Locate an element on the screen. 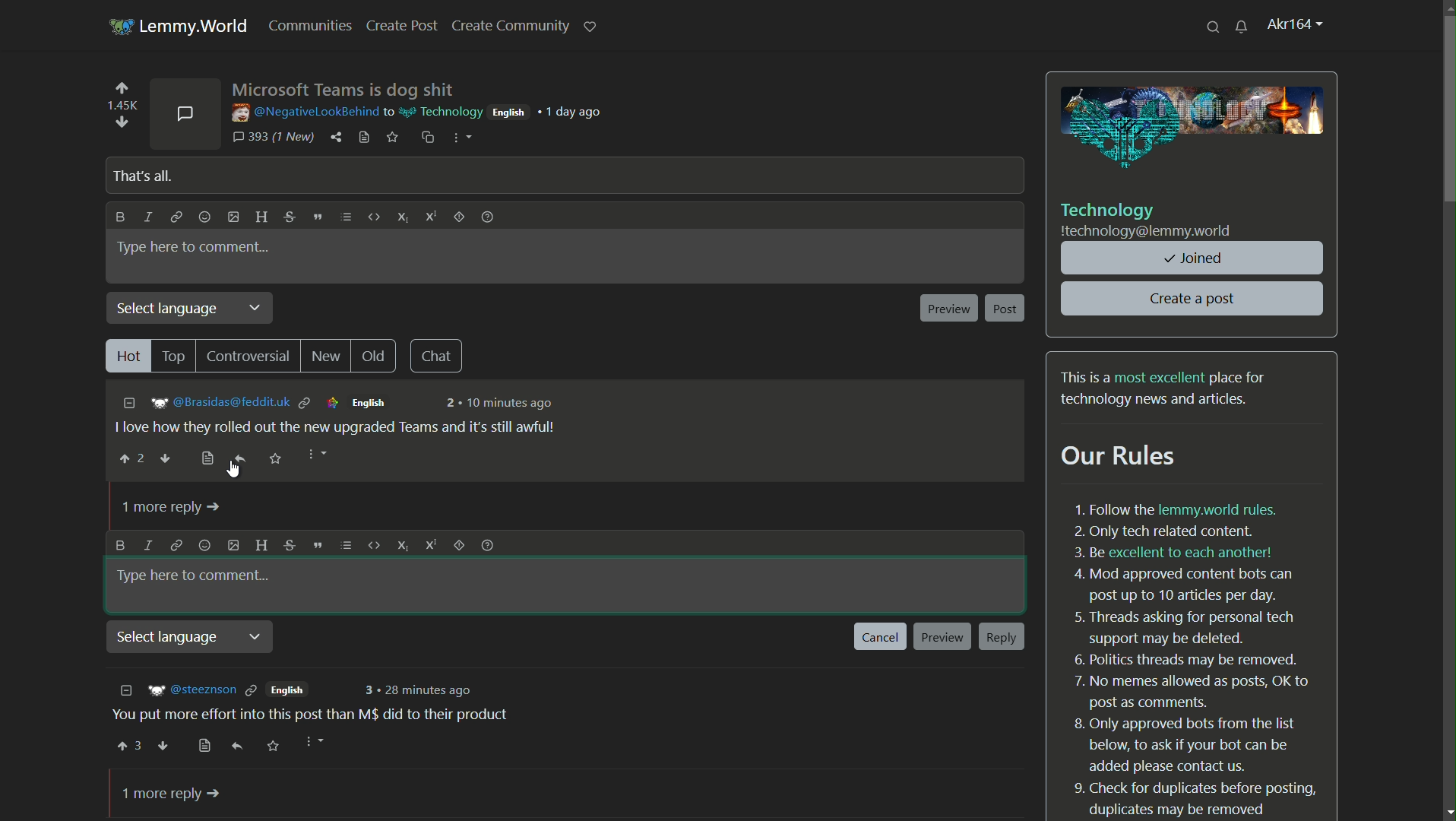  copy is located at coordinates (426, 137).